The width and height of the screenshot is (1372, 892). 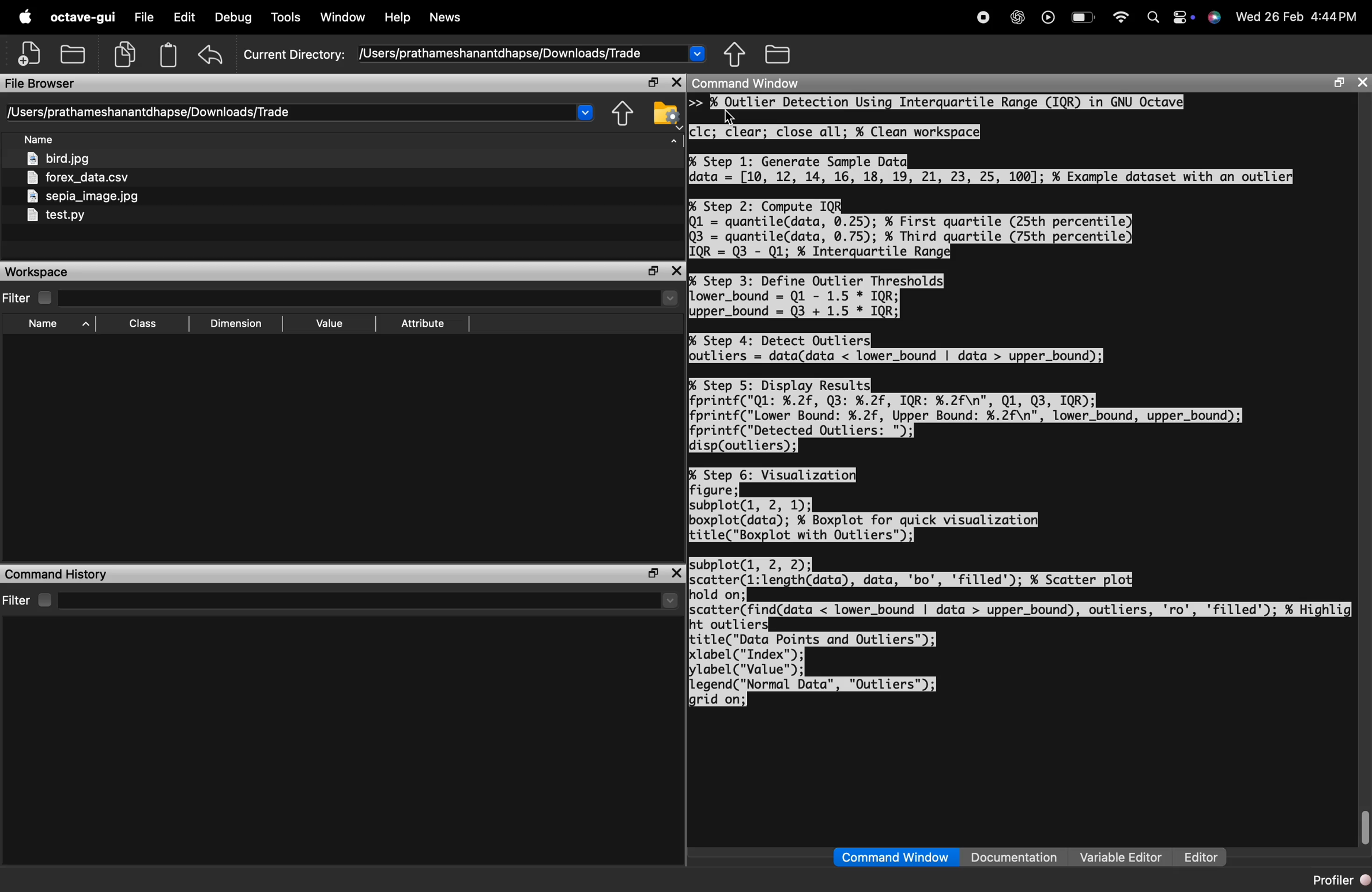 What do you see at coordinates (84, 196) in the screenshot?
I see `sepia_image.jpg` at bounding box center [84, 196].